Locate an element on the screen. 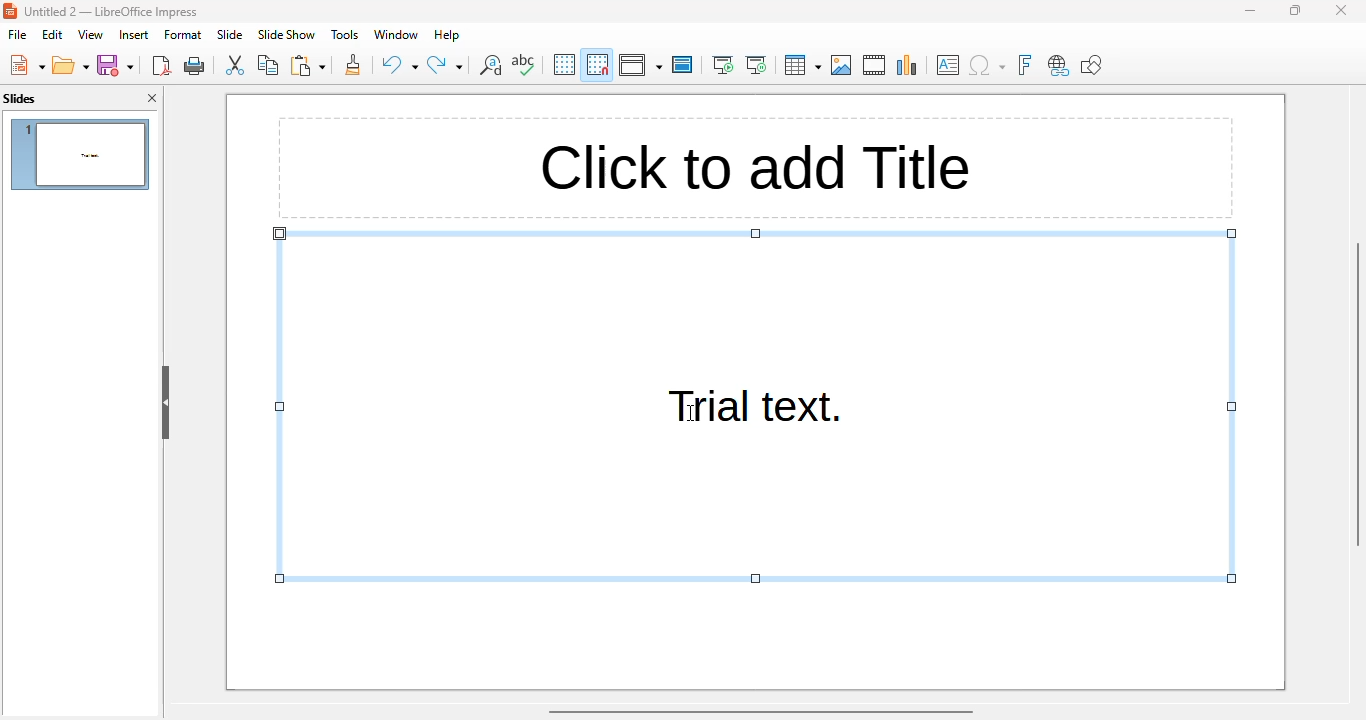  edit is located at coordinates (52, 35).